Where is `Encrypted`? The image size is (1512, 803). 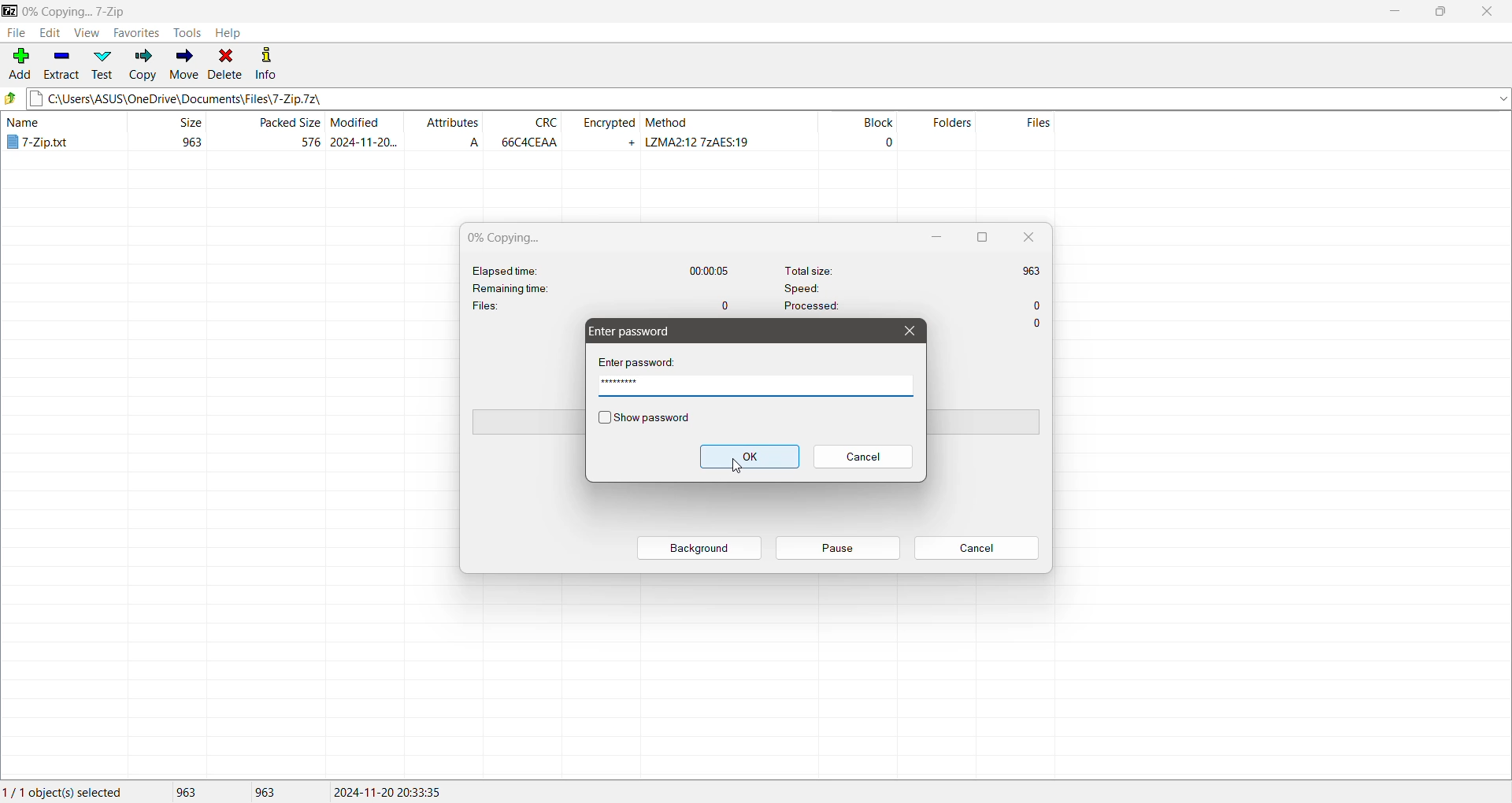 Encrypted is located at coordinates (606, 131).